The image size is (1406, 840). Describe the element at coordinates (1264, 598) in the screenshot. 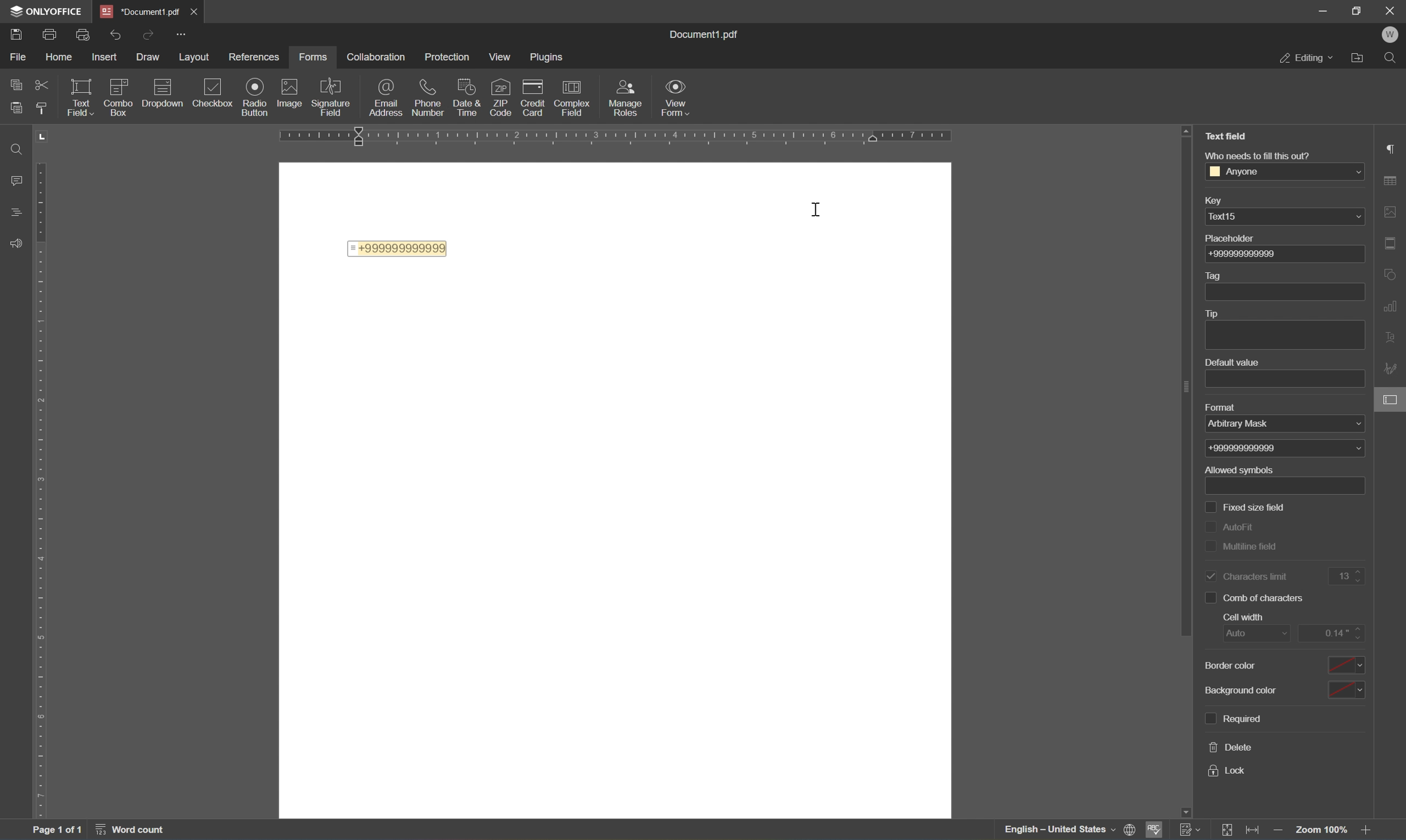

I see `Comb of characters` at that location.